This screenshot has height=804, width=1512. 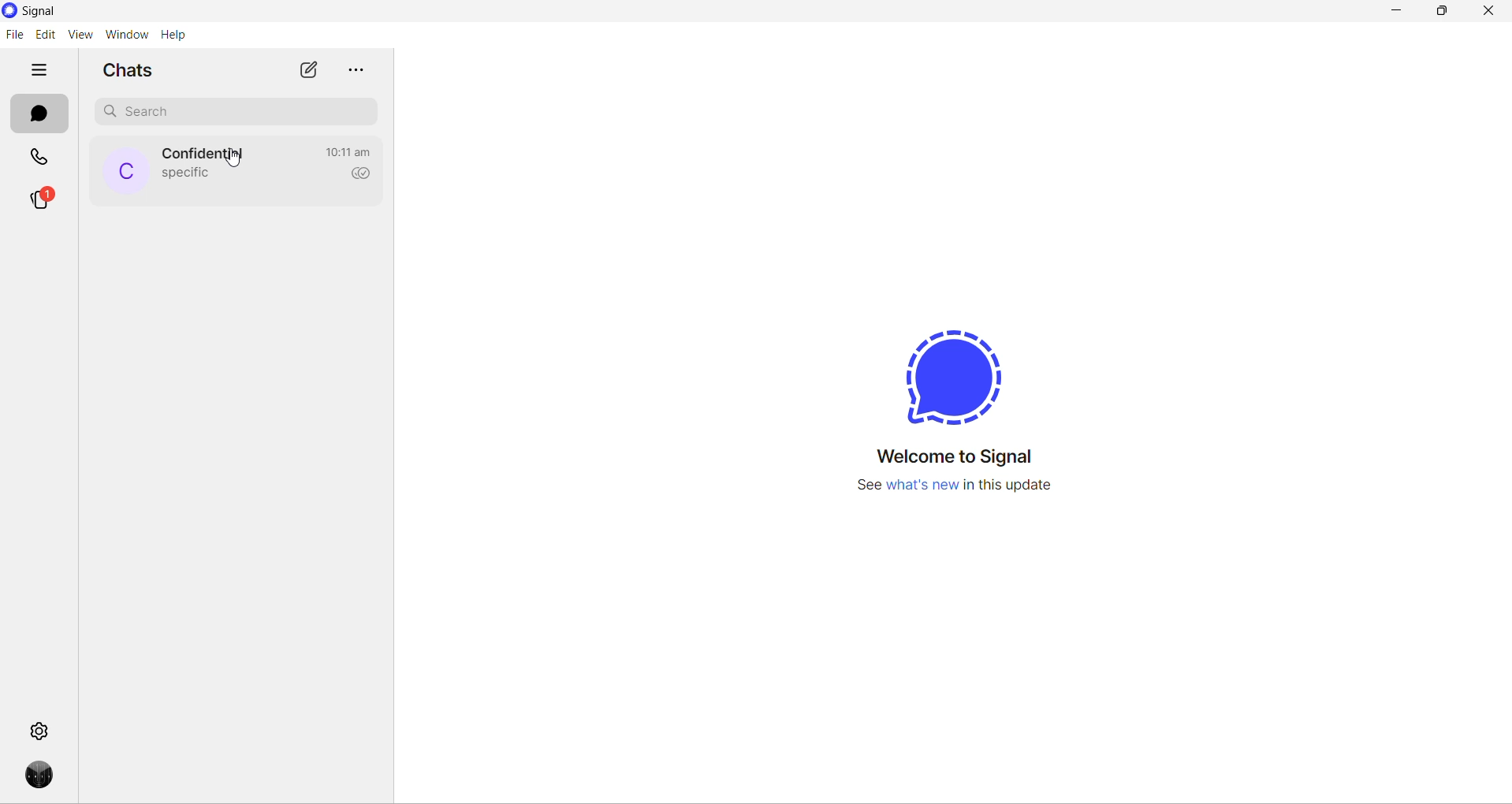 What do you see at coordinates (359, 179) in the screenshot?
I see `read recipient` at bounding box center [359, 179].